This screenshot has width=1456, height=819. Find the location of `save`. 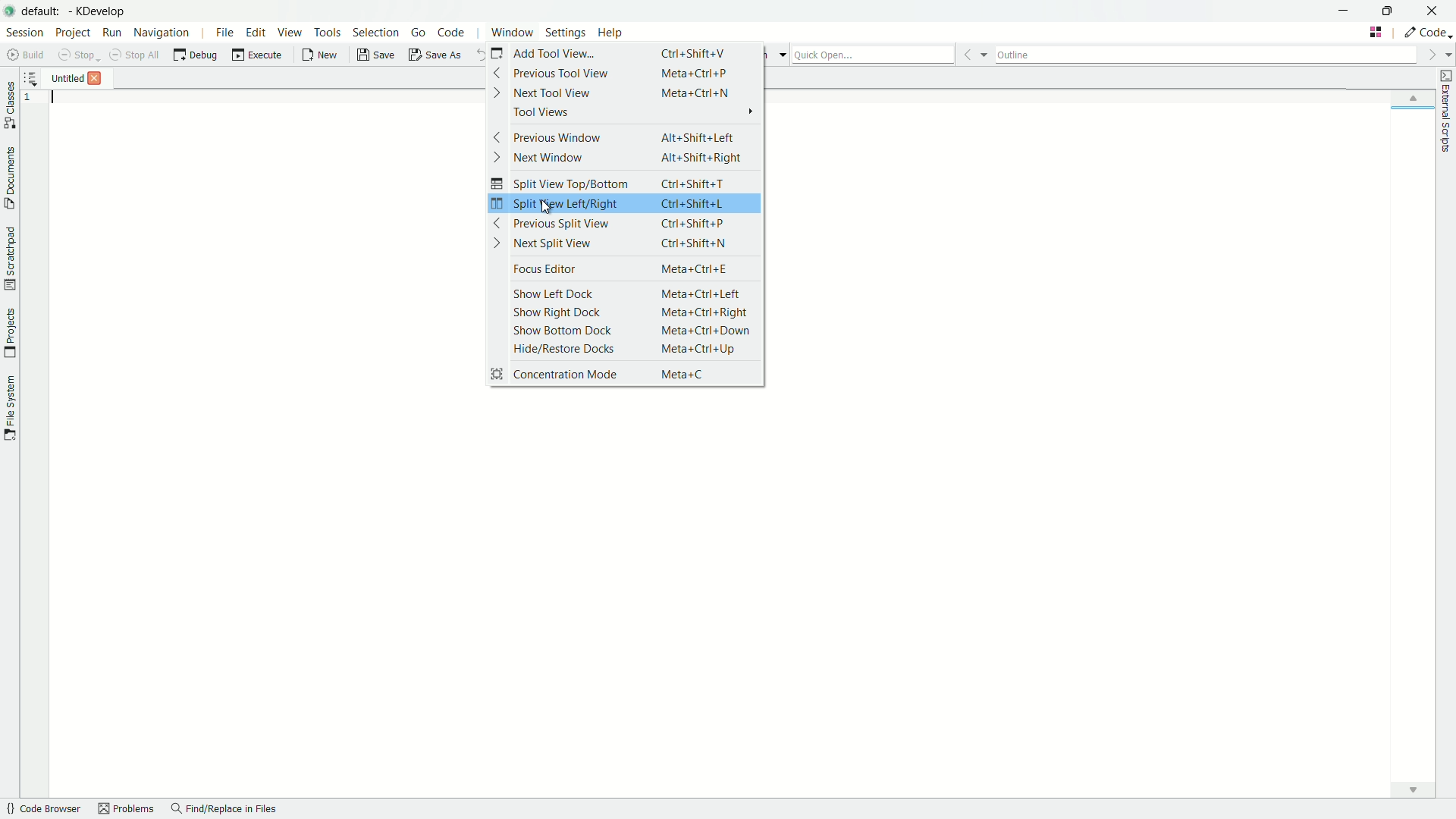

save is located at coordinates (375, 54).